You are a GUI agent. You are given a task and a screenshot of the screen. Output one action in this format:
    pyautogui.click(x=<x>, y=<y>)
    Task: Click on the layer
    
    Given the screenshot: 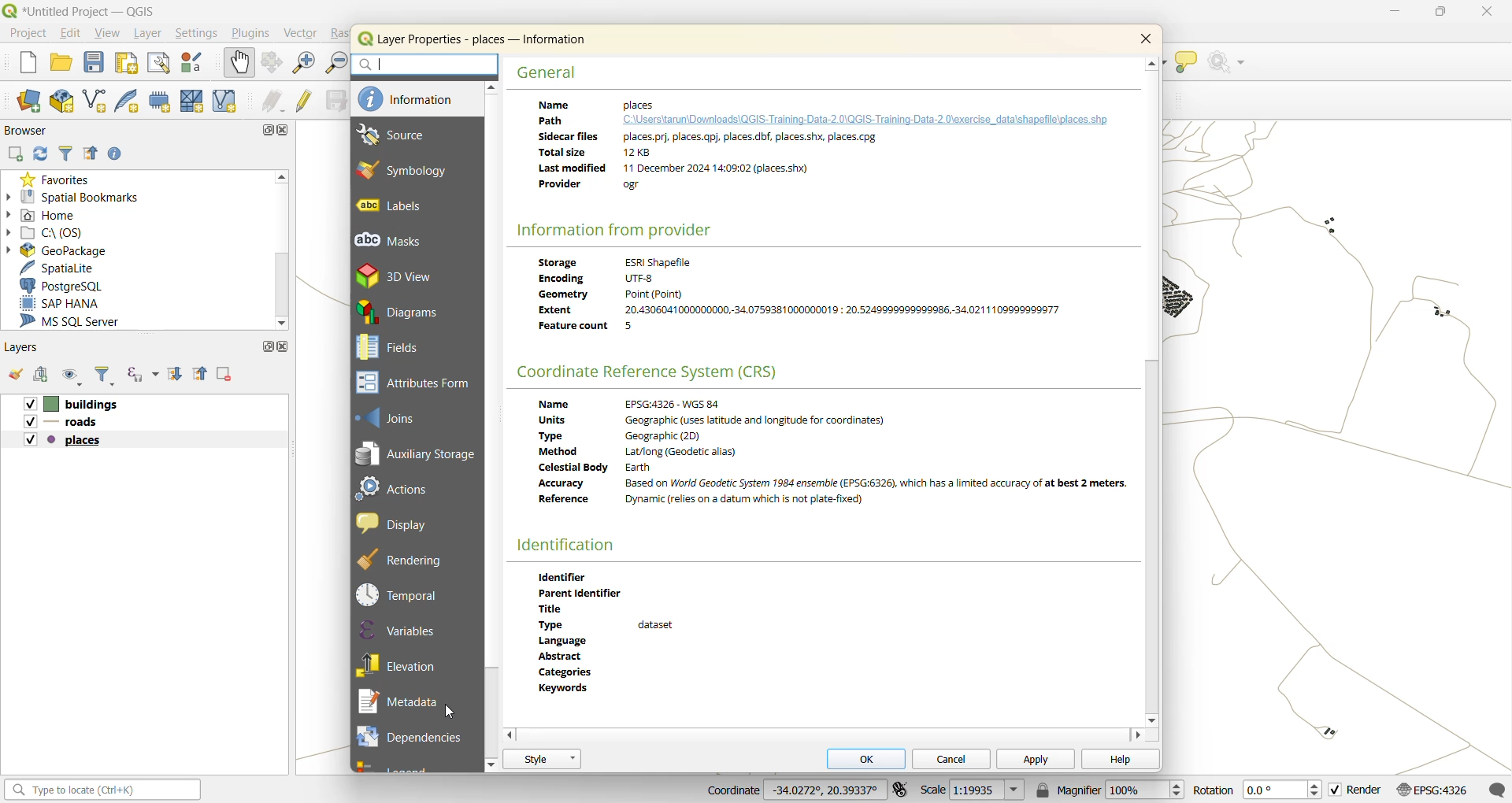 What is the action you would take?
    pyautogui.click(x=152, y=35)
    